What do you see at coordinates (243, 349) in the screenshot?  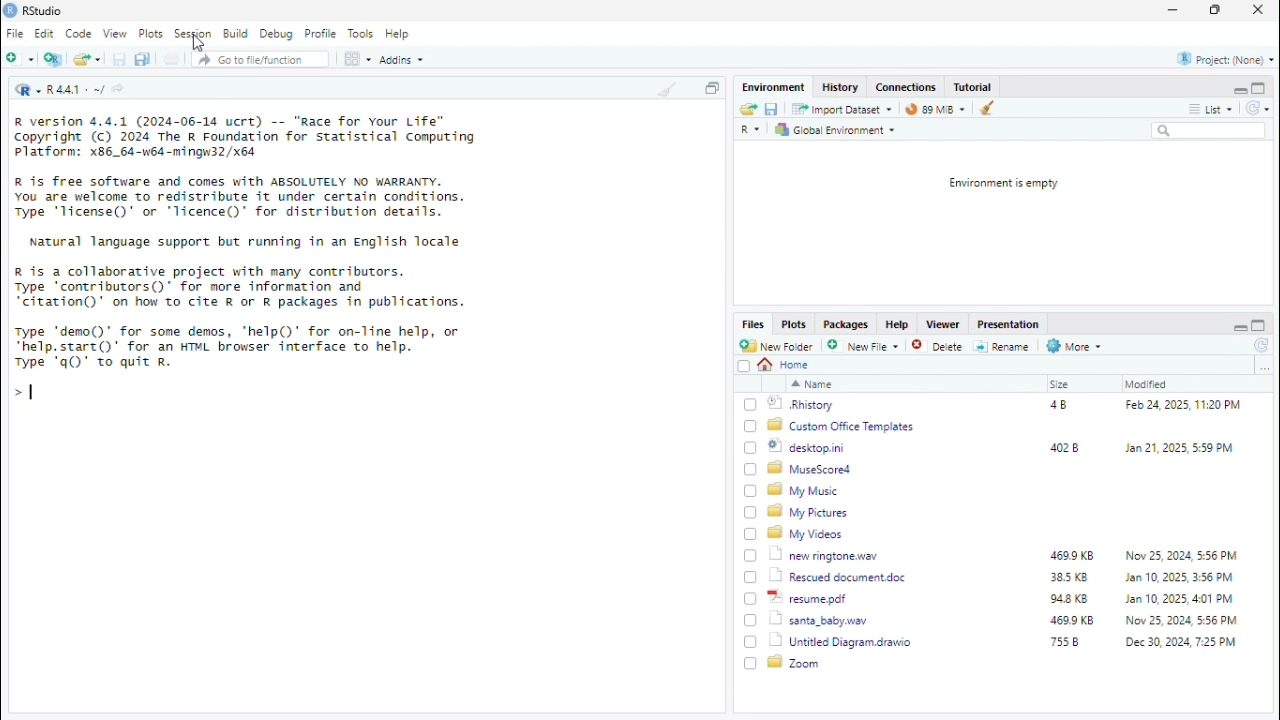 I see `Type "demo()" for some demos, ‘help()’ for on-line help, or
“help.start()* for an HTML browser interface to help.
Type "q()" to quit R.` at bounding box center [243, 349].